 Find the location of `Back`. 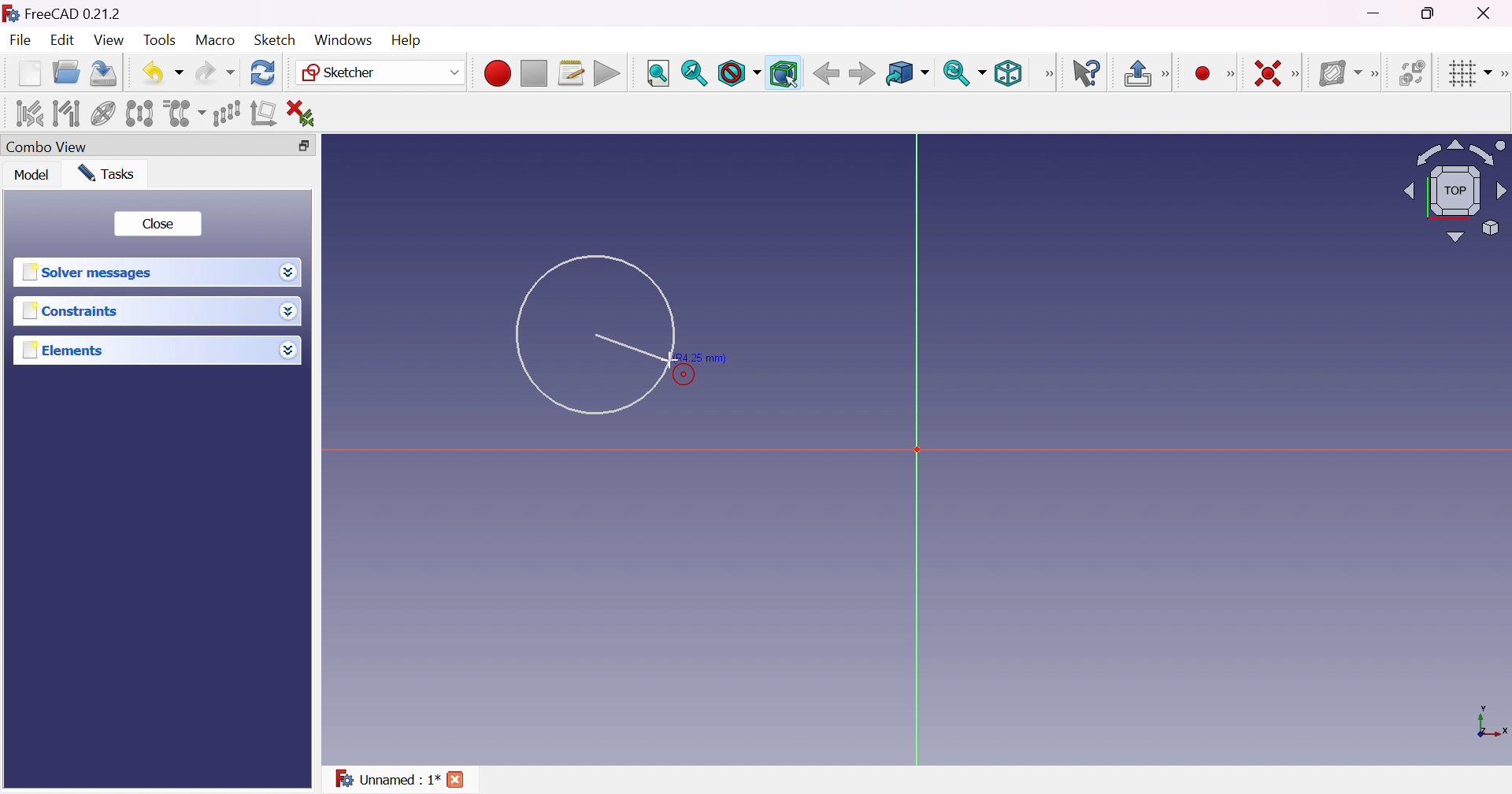

Back is located at coordinates (825, 73).